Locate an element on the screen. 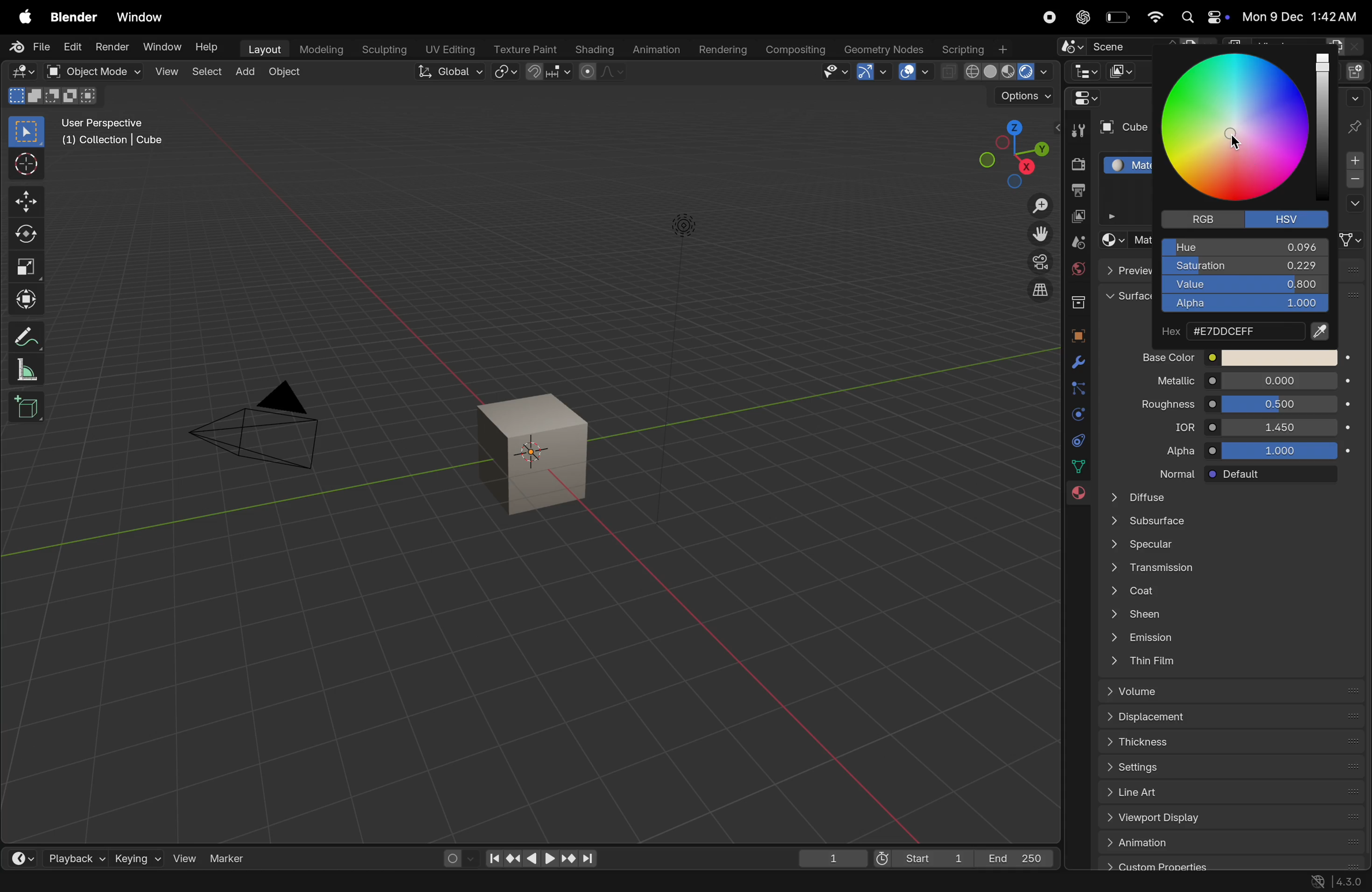 The height and width of the screenshot is (892, 1372). Geometry notes is located at coordinates (884, 48).